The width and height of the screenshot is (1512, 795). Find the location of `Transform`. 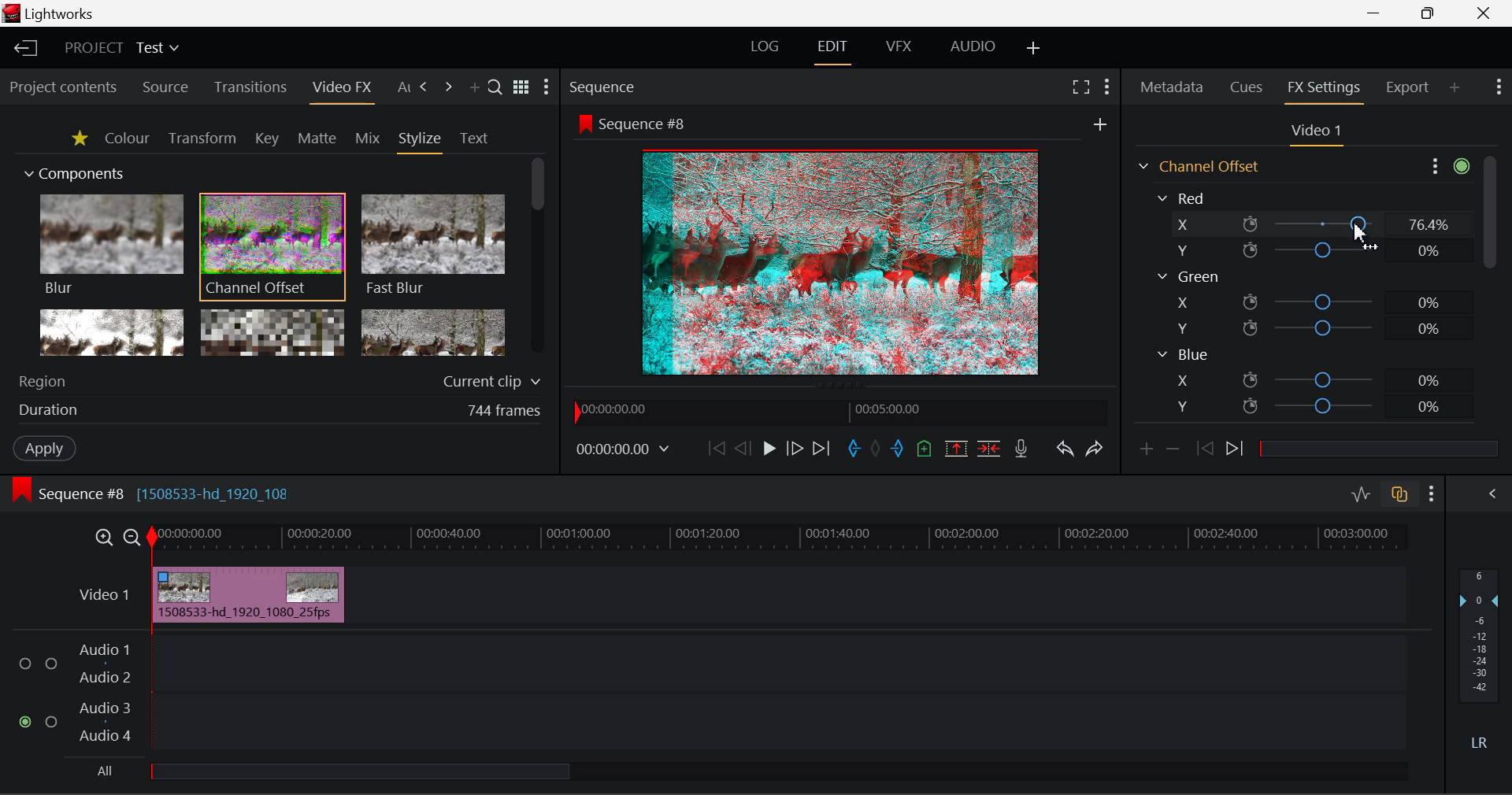

Transform is located at coordinates (202, 139).